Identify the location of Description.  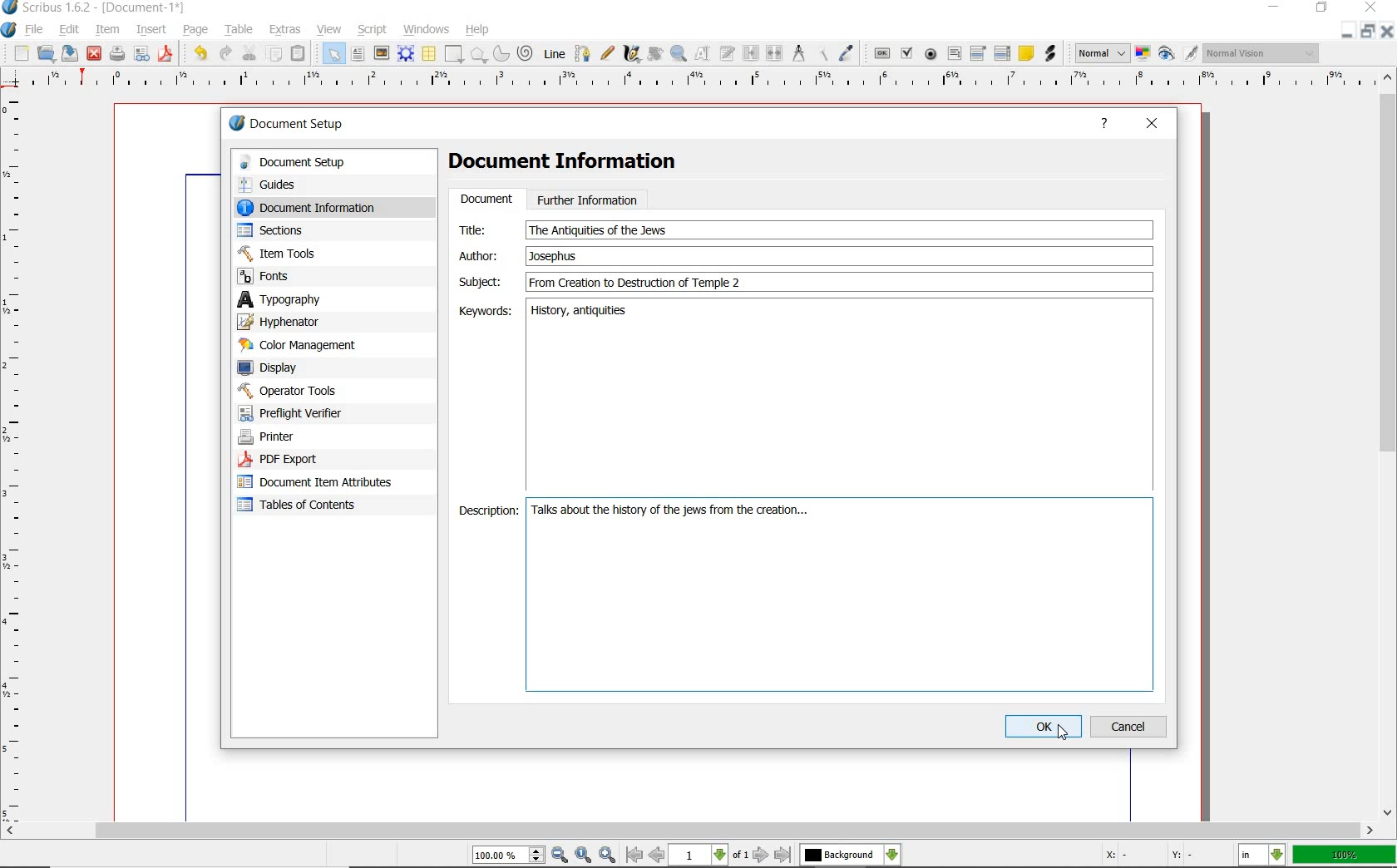
(486, 512).